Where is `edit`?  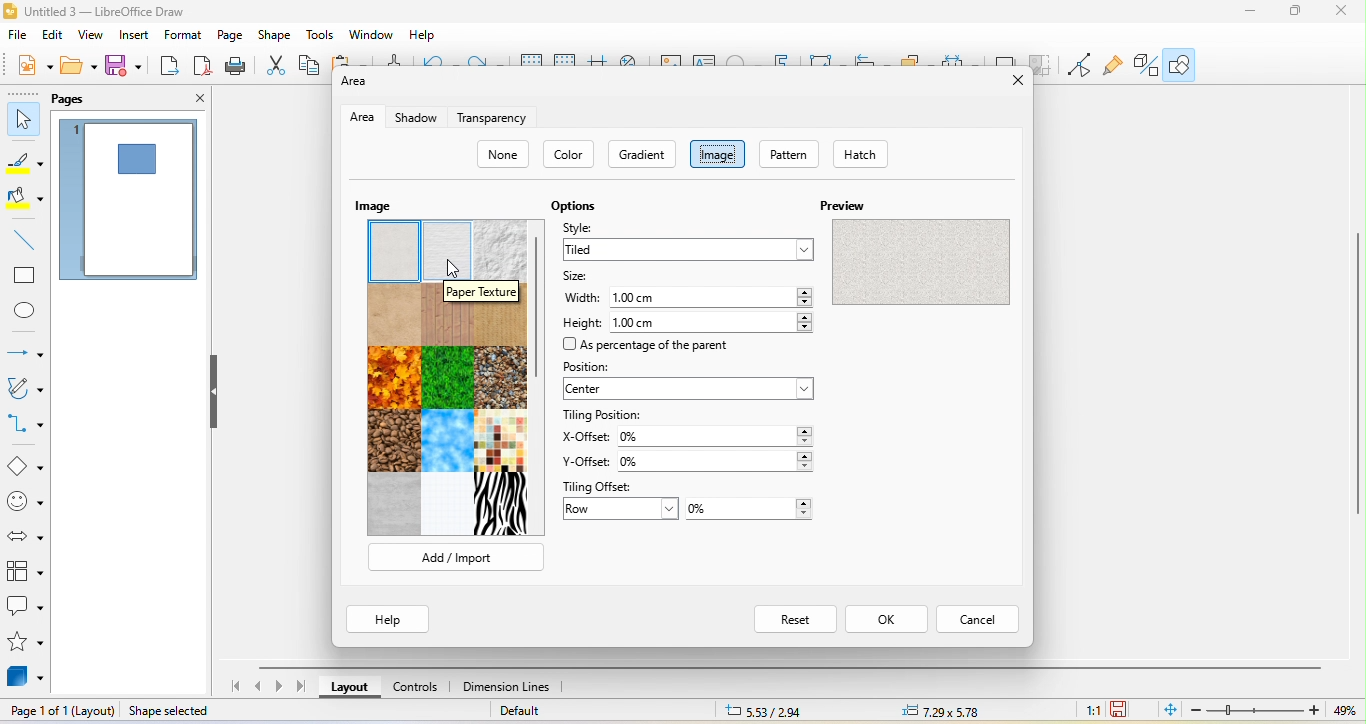
edit is located at coordinates (56, 36).